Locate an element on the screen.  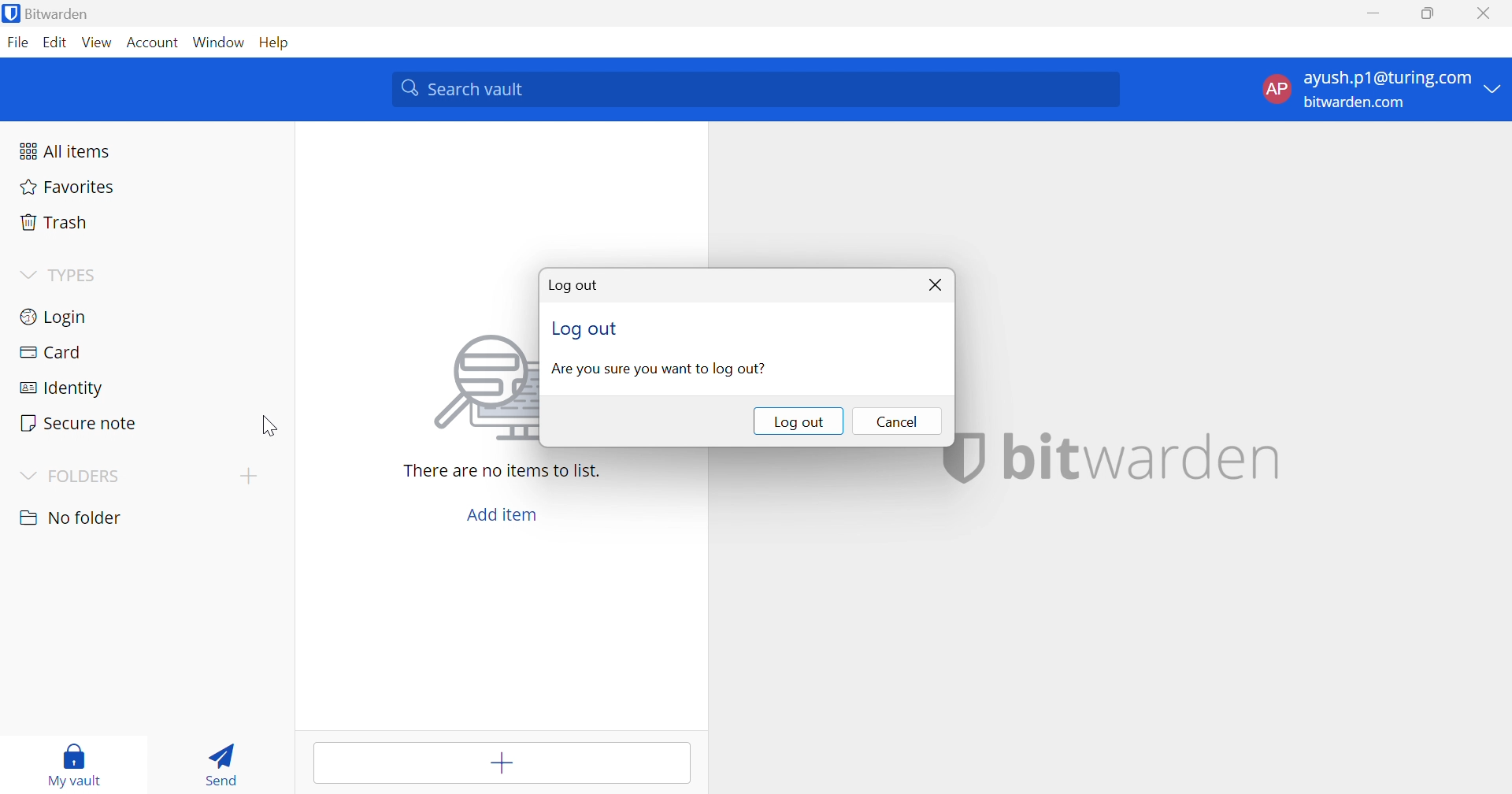
Cursor is located at coordinates (271, 425).